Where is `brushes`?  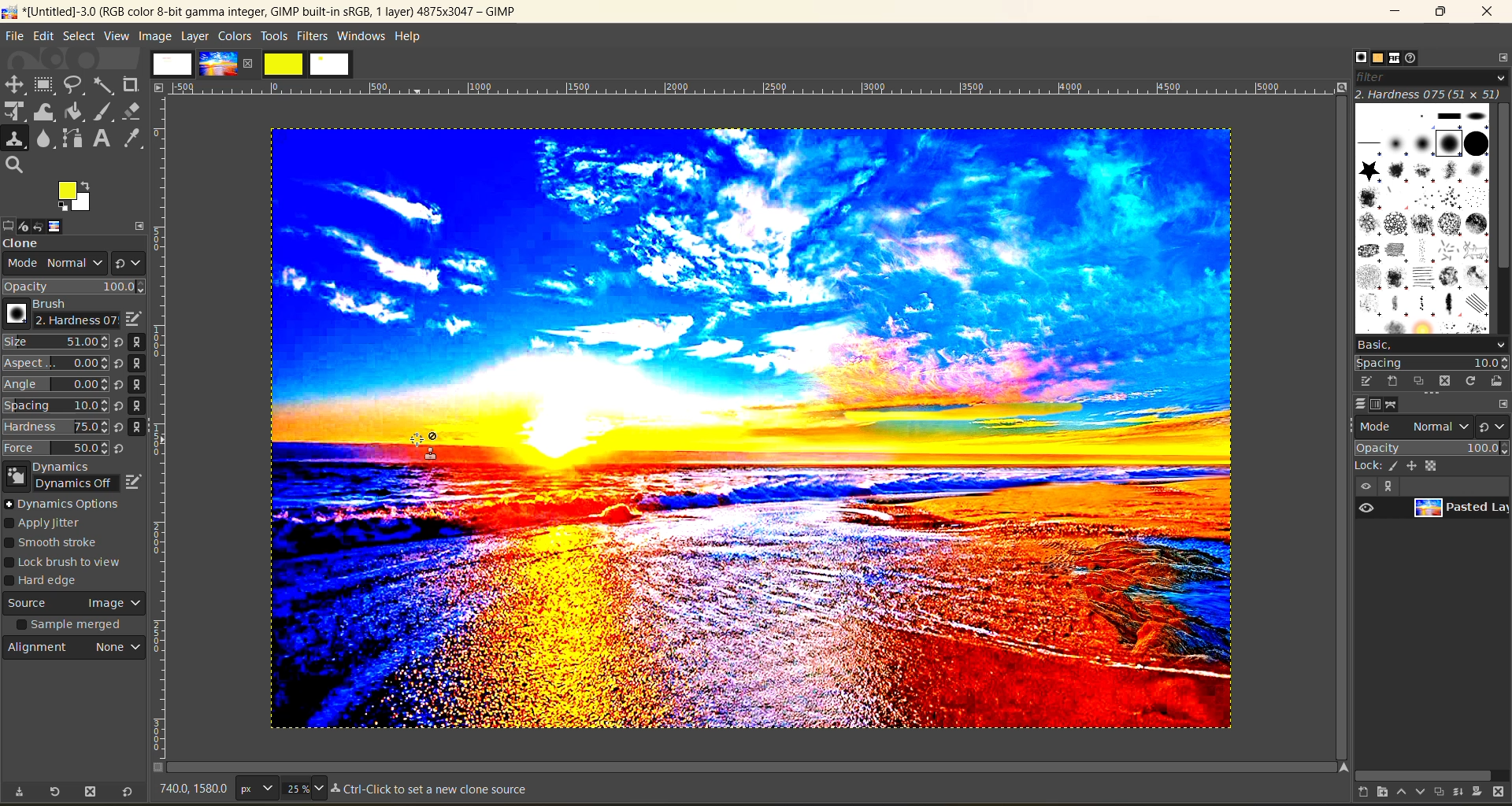
brushes is located at coordinates (1355, 57).